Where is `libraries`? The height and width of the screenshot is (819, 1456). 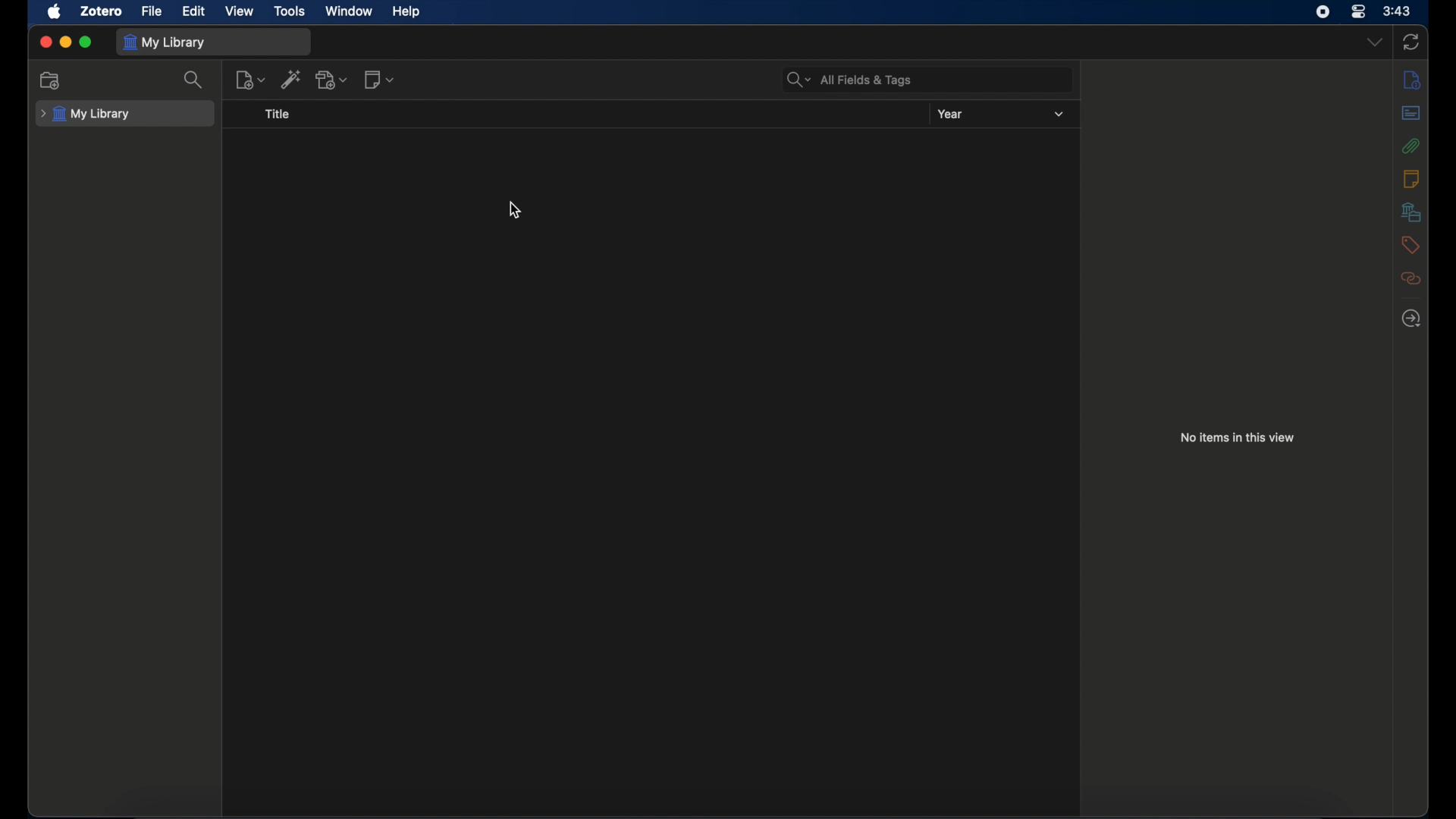 libraries is located at coordinates (1410, 212).